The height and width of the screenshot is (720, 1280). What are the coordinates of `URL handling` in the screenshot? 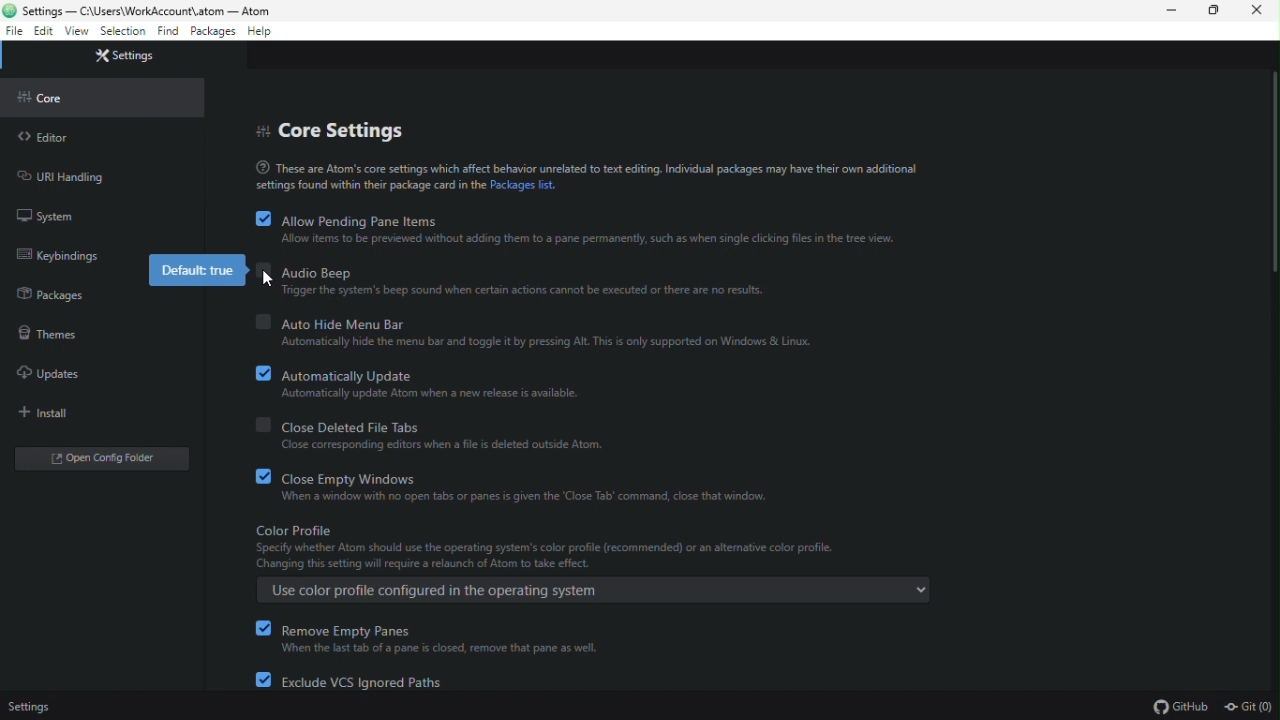 It's located at (74, 178).